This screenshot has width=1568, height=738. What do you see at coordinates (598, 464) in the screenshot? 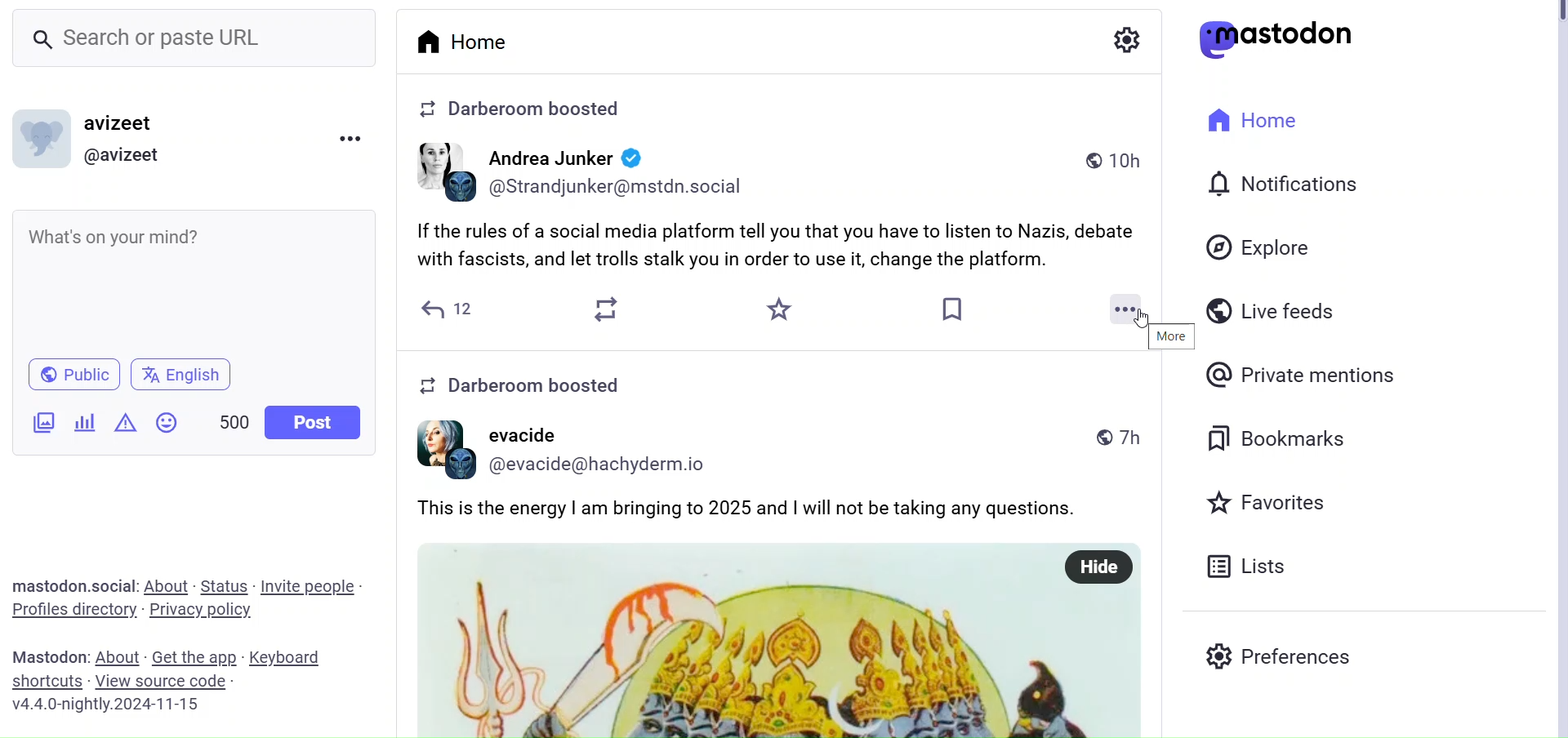
I see `user id` at bounding box center [598, 464].